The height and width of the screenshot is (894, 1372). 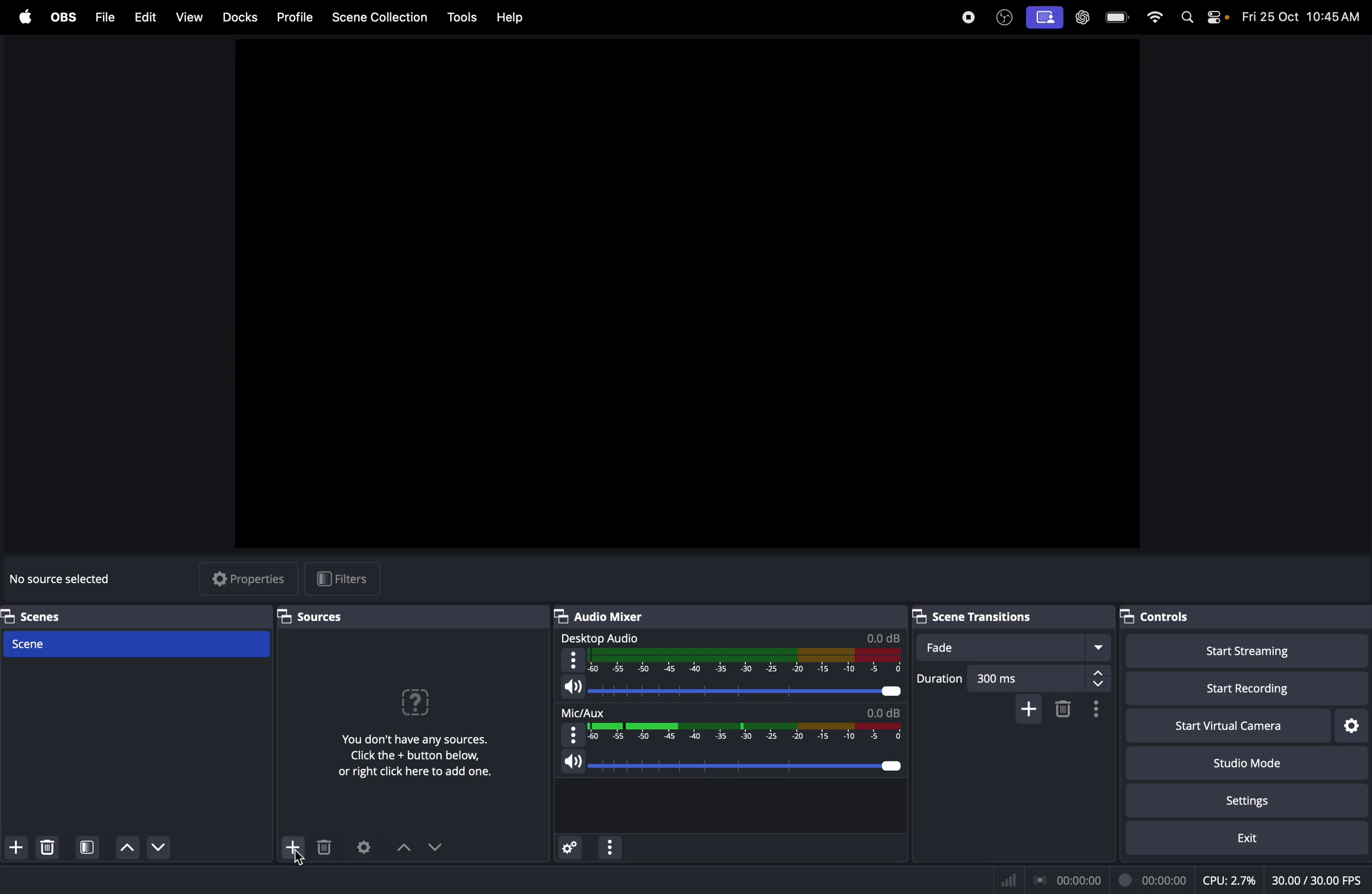 What do you see at coordinates (514, 18) in the screenshot?
I see `help` at bounding box center [514, 18].